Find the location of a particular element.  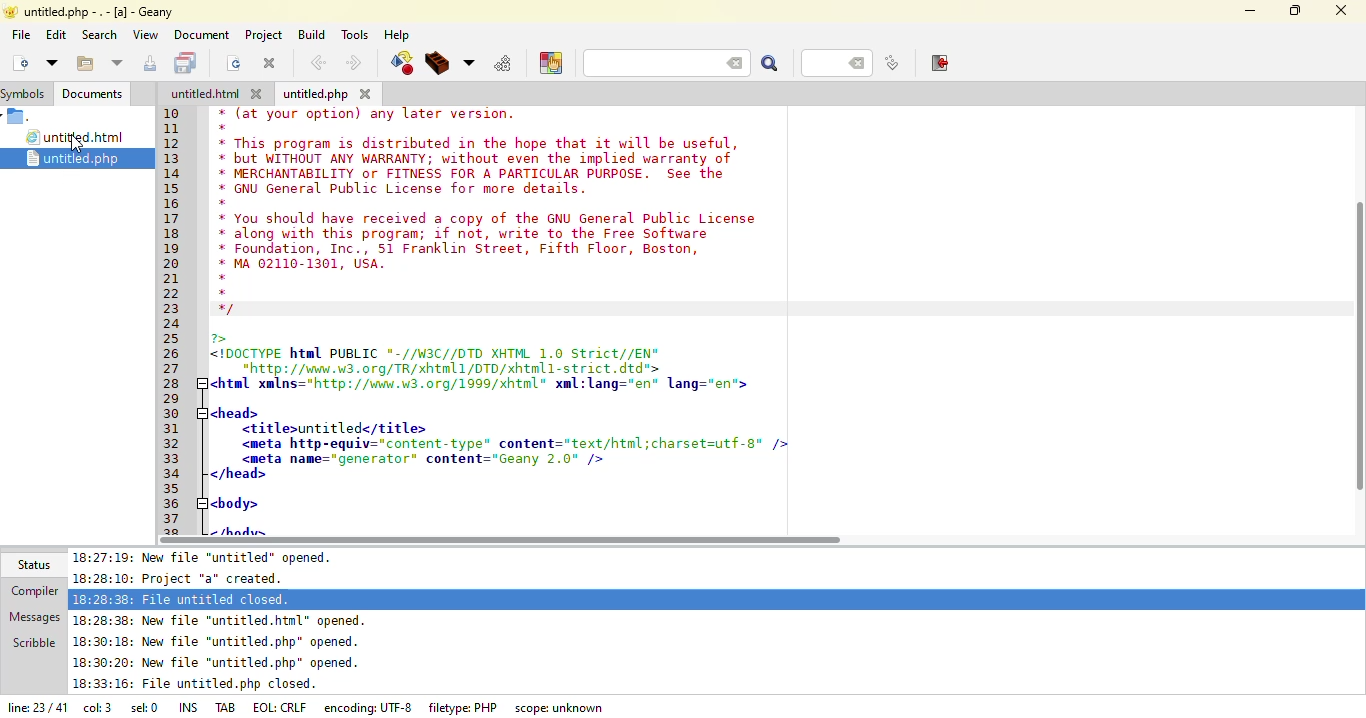

scroll bar is located at coordinates (1358, 348).